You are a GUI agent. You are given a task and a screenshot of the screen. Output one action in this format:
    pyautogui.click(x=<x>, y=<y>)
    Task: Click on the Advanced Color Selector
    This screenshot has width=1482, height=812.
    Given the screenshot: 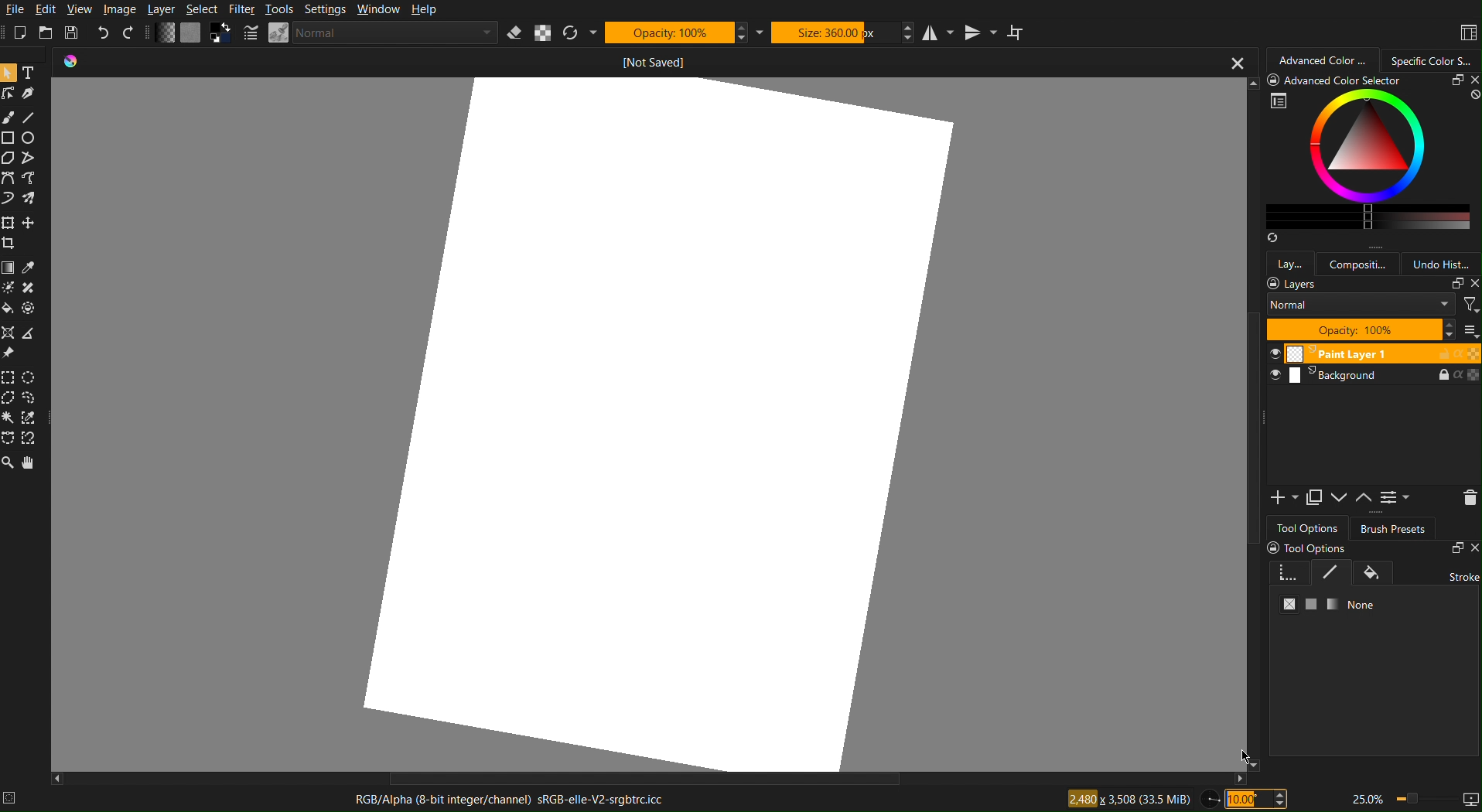 What is the action you would take?
    pyautogui.click(x=1373, y=160)
    